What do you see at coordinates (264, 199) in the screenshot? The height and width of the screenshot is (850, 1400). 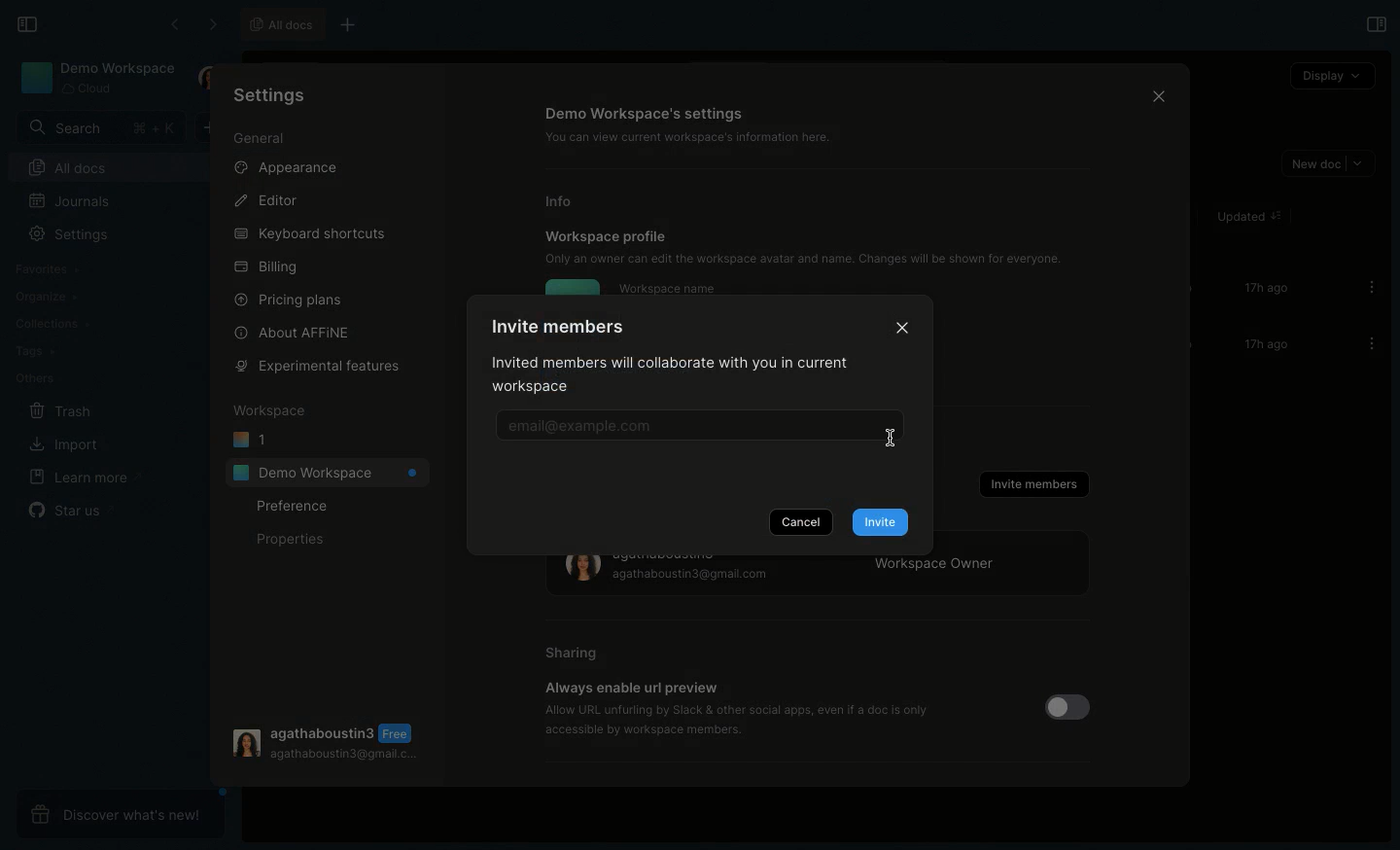 I see `Editor` at bounding box center [264, 199].